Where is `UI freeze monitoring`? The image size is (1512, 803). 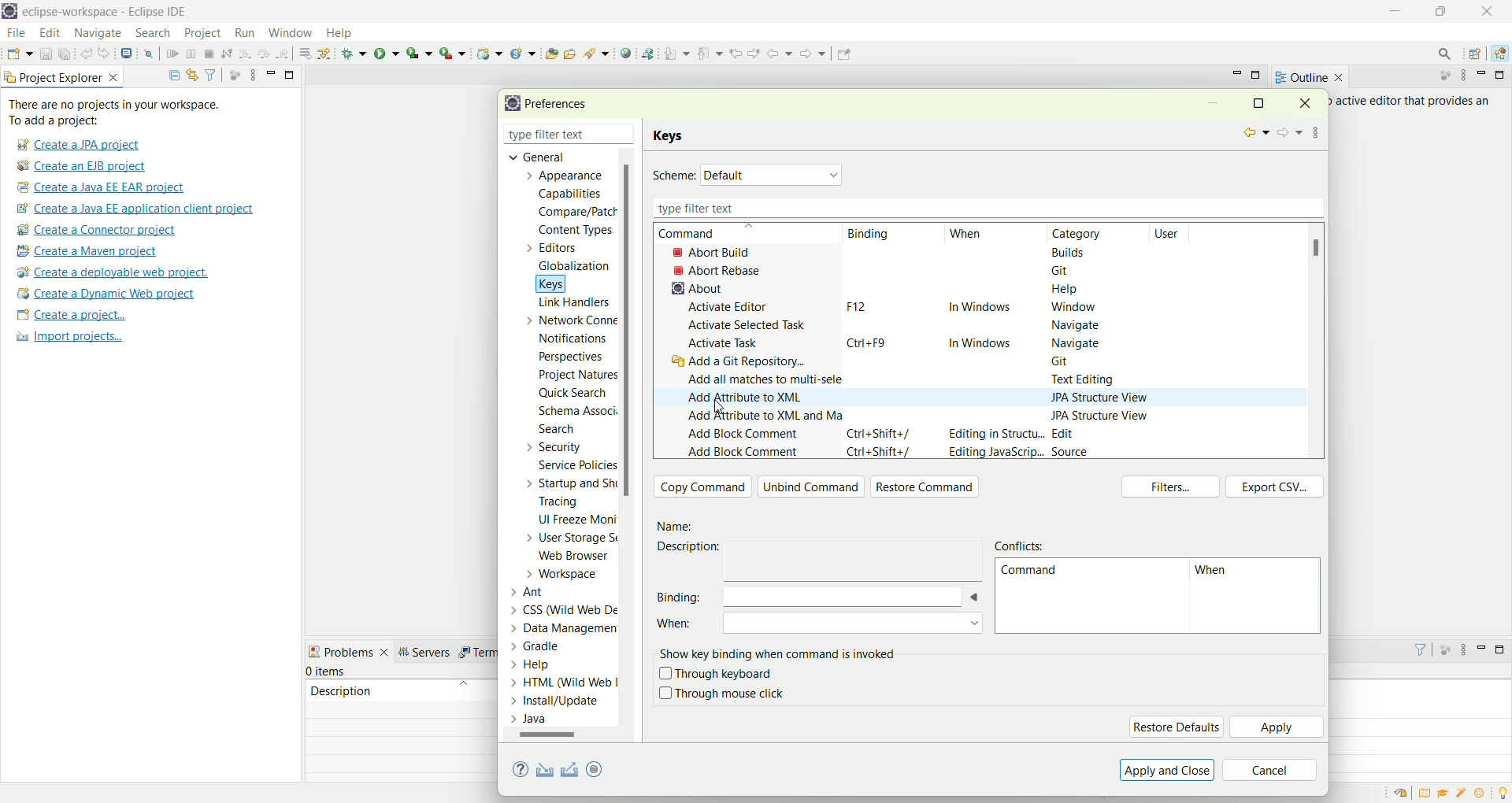
UI freeze monitoring is located at coordinates (576, 521).